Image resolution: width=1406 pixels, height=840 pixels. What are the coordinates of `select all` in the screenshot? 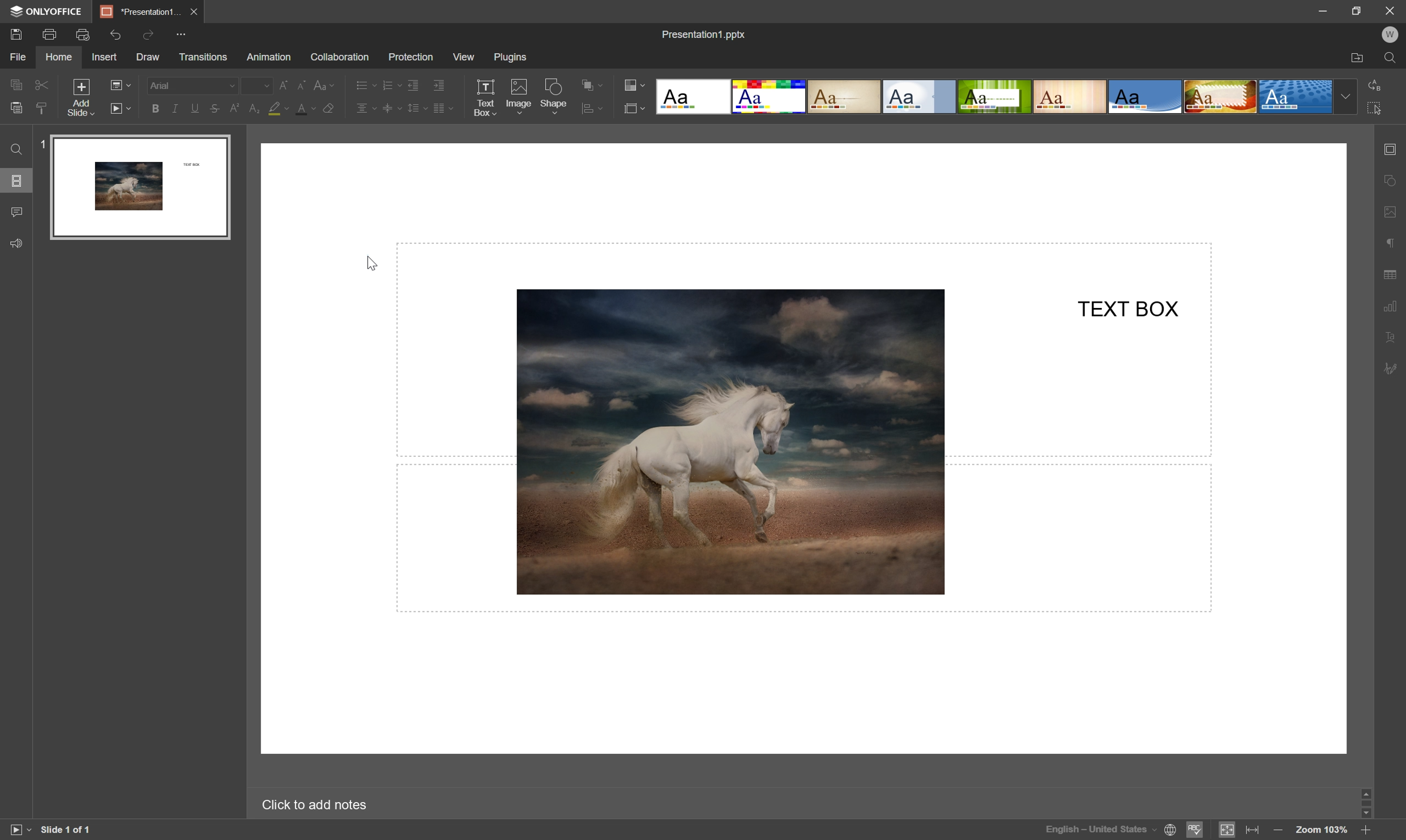 It's located at (1377, 108).